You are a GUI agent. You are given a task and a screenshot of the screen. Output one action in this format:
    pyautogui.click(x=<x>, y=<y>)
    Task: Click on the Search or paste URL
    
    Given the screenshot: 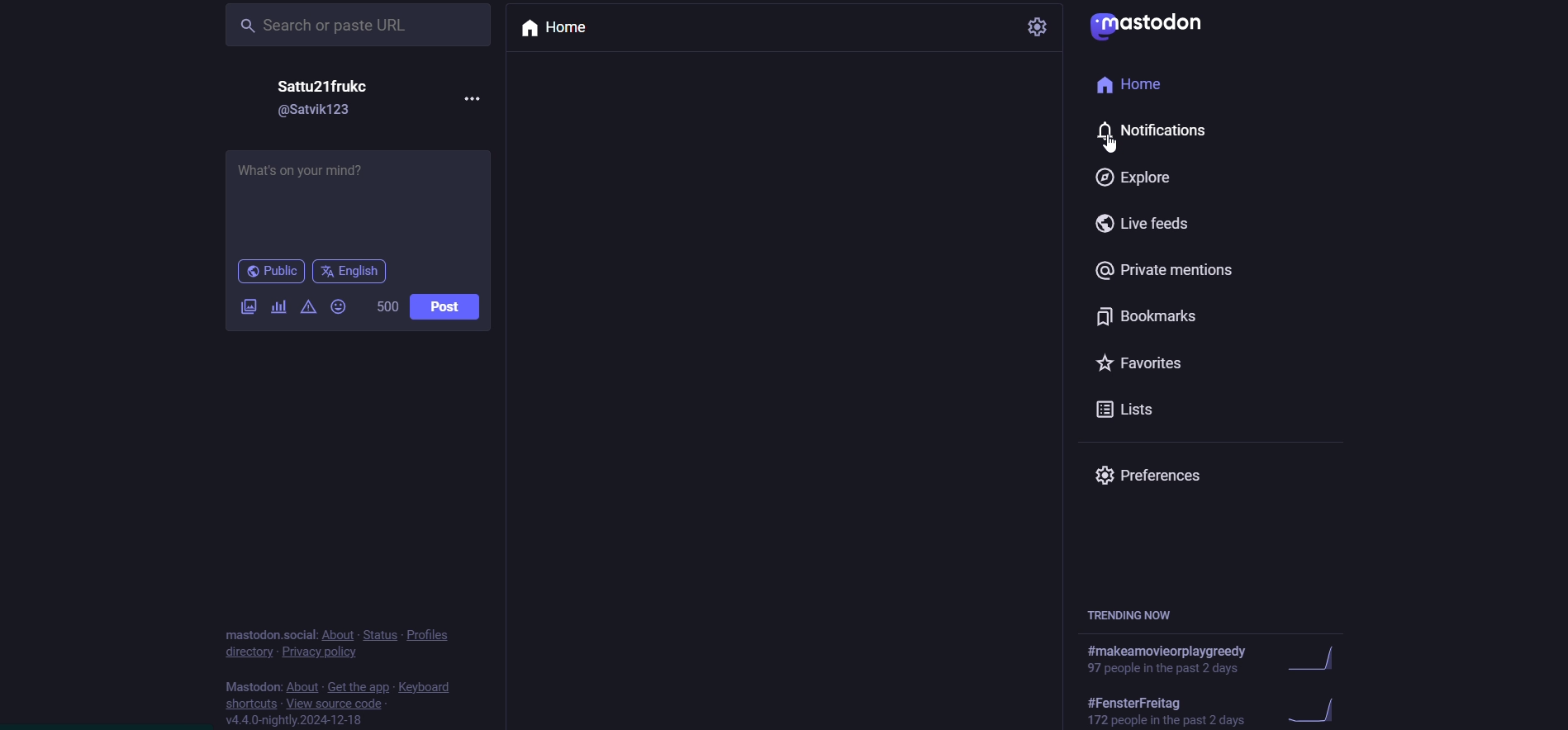 What is the action you would take?
    pyautogui.click(x=359, y=25)
    